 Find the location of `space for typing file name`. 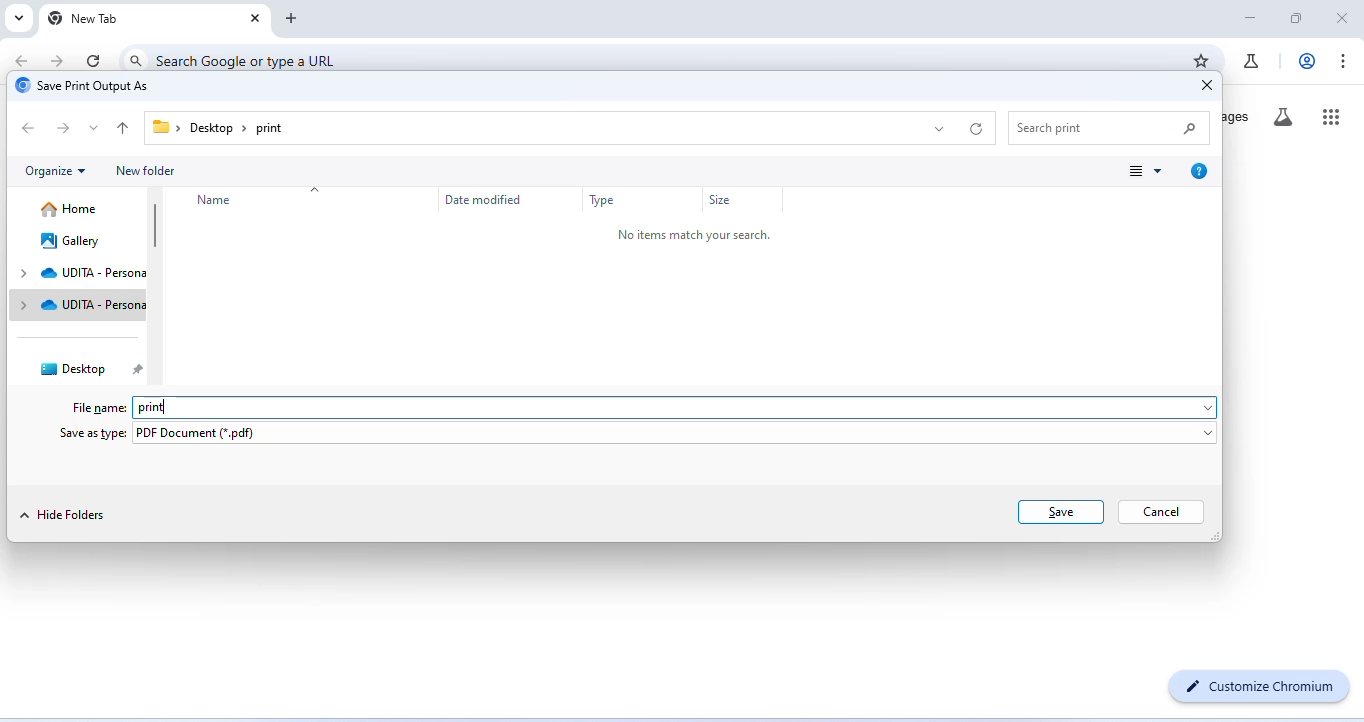

space for typing file name is located at coordinates (693, 407).